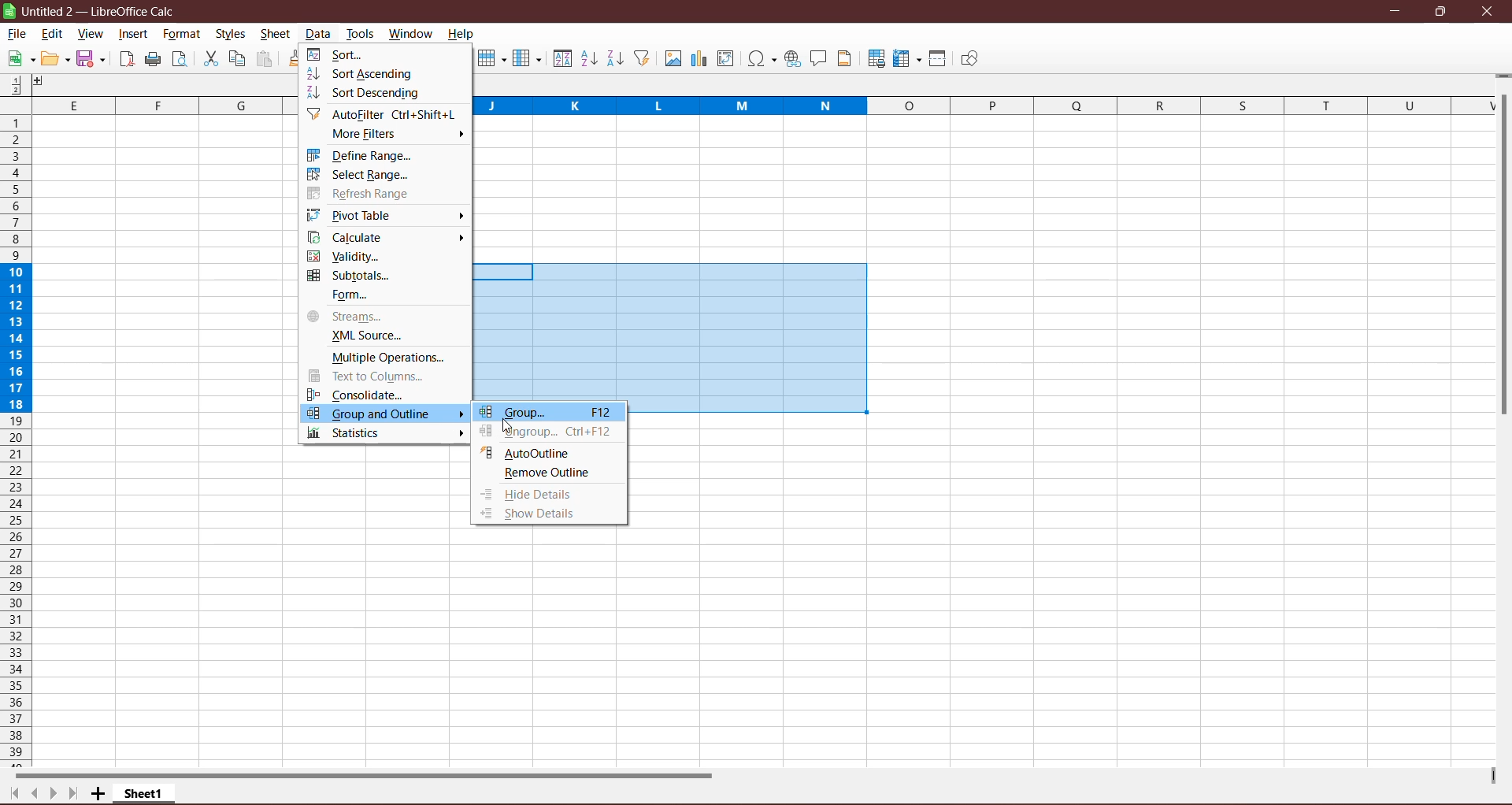  What do you see at coordinates (318, 34) in the screenshot?
I see `Data` at bounding box center [318, 34].